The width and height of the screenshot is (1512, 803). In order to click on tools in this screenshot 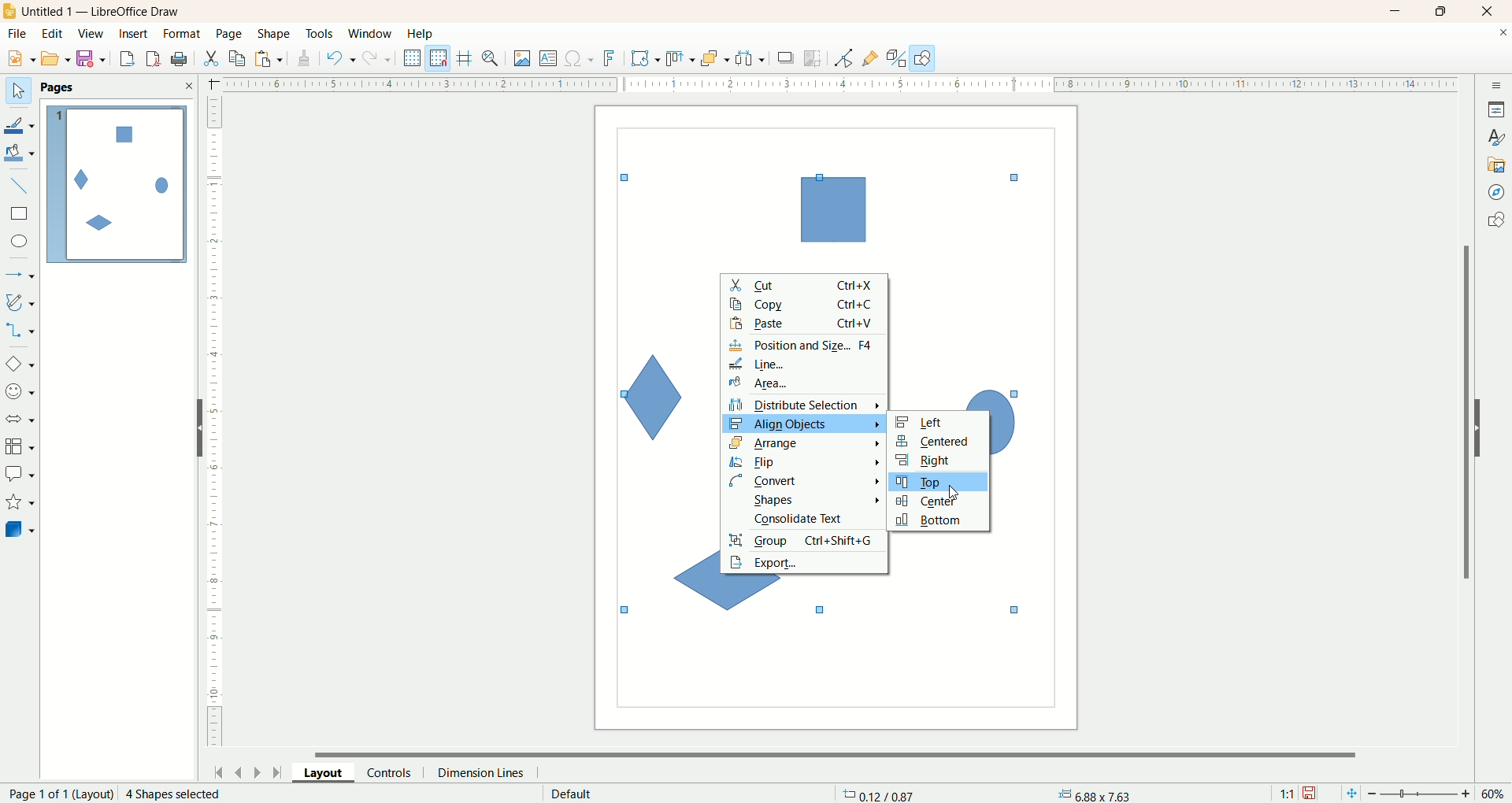, I will do `click(321, 35)`.